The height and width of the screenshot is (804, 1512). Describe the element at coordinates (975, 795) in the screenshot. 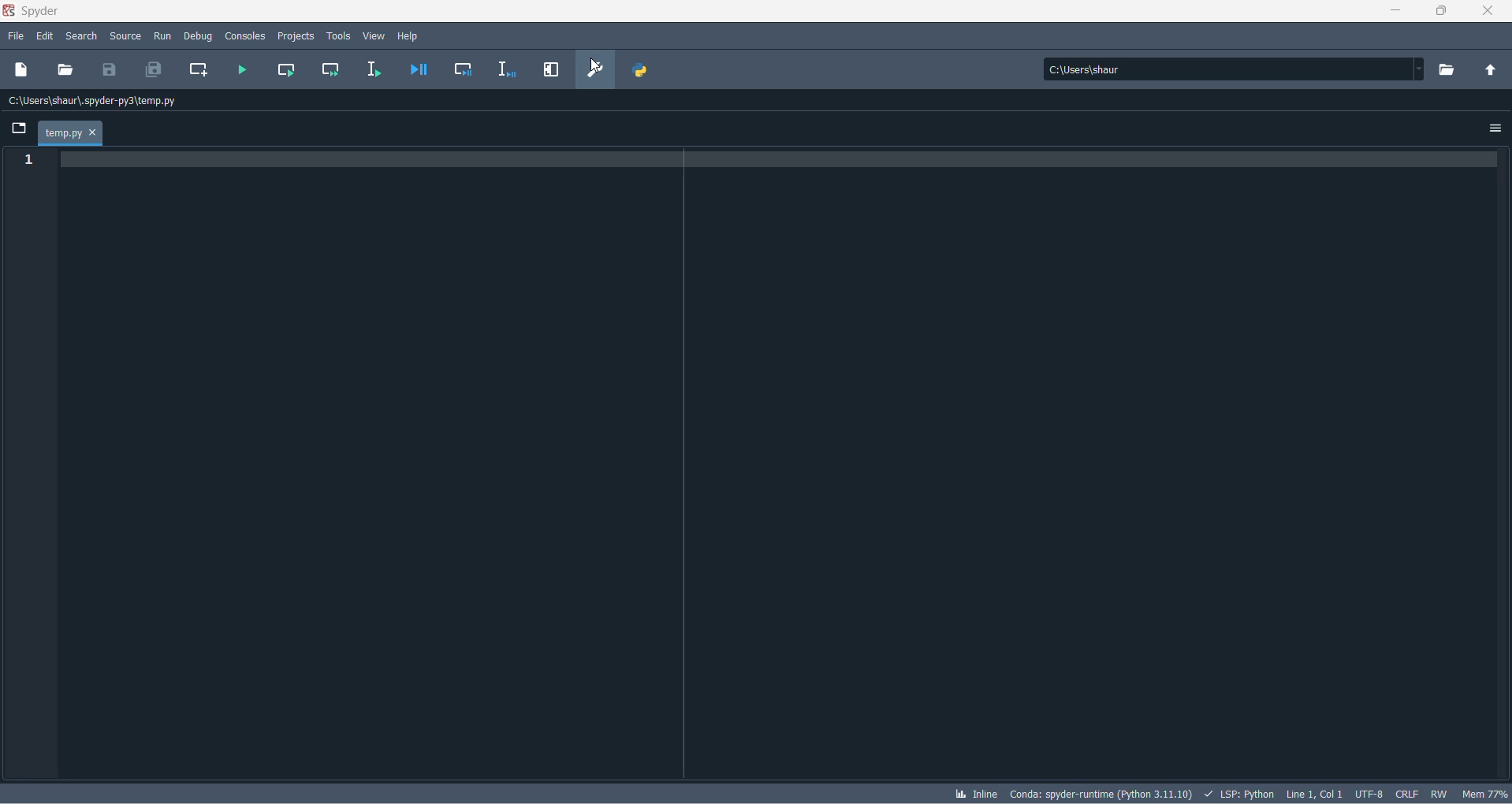

I see `inline` at that location.